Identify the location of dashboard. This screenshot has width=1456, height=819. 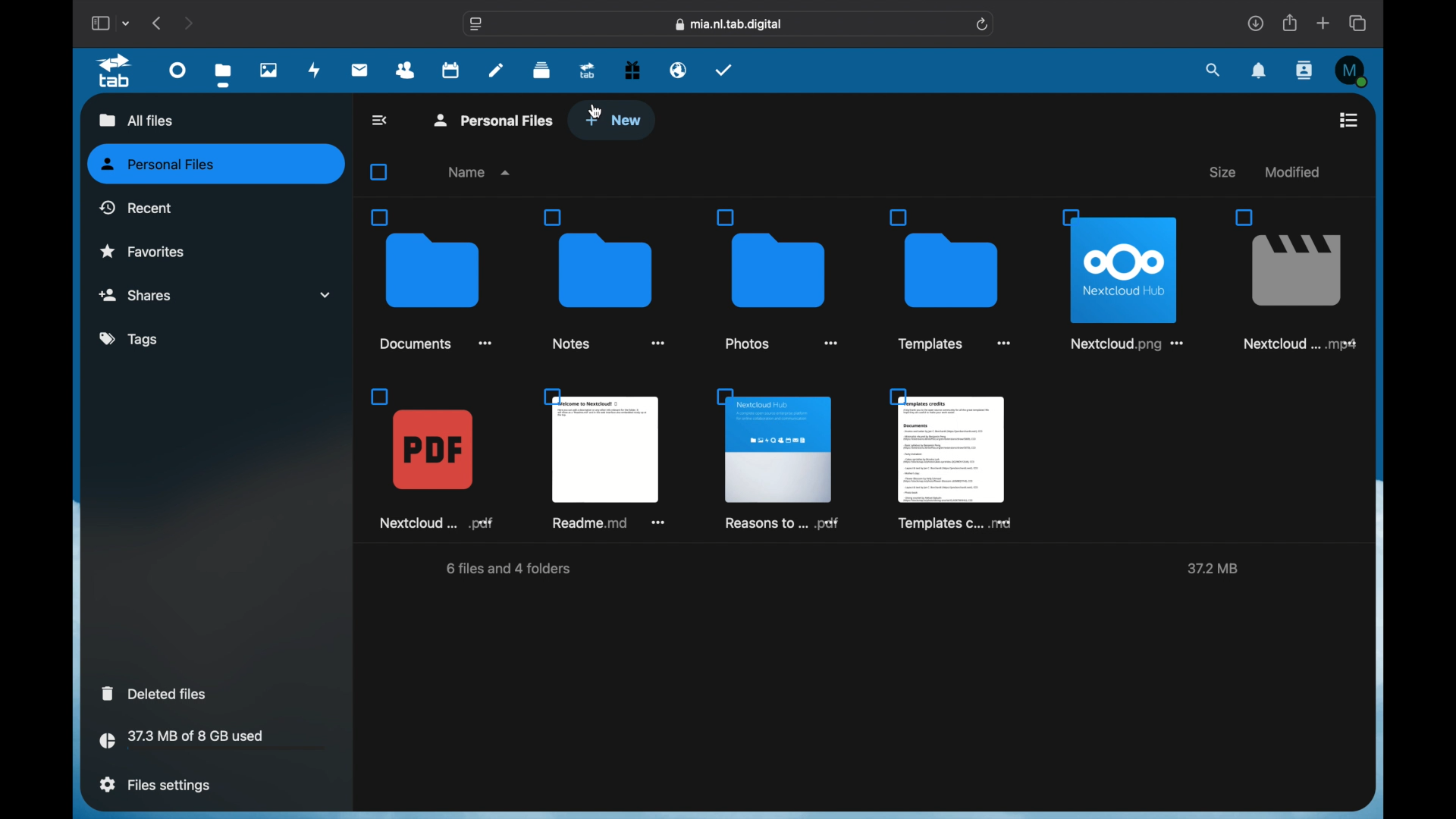
(179, 69).